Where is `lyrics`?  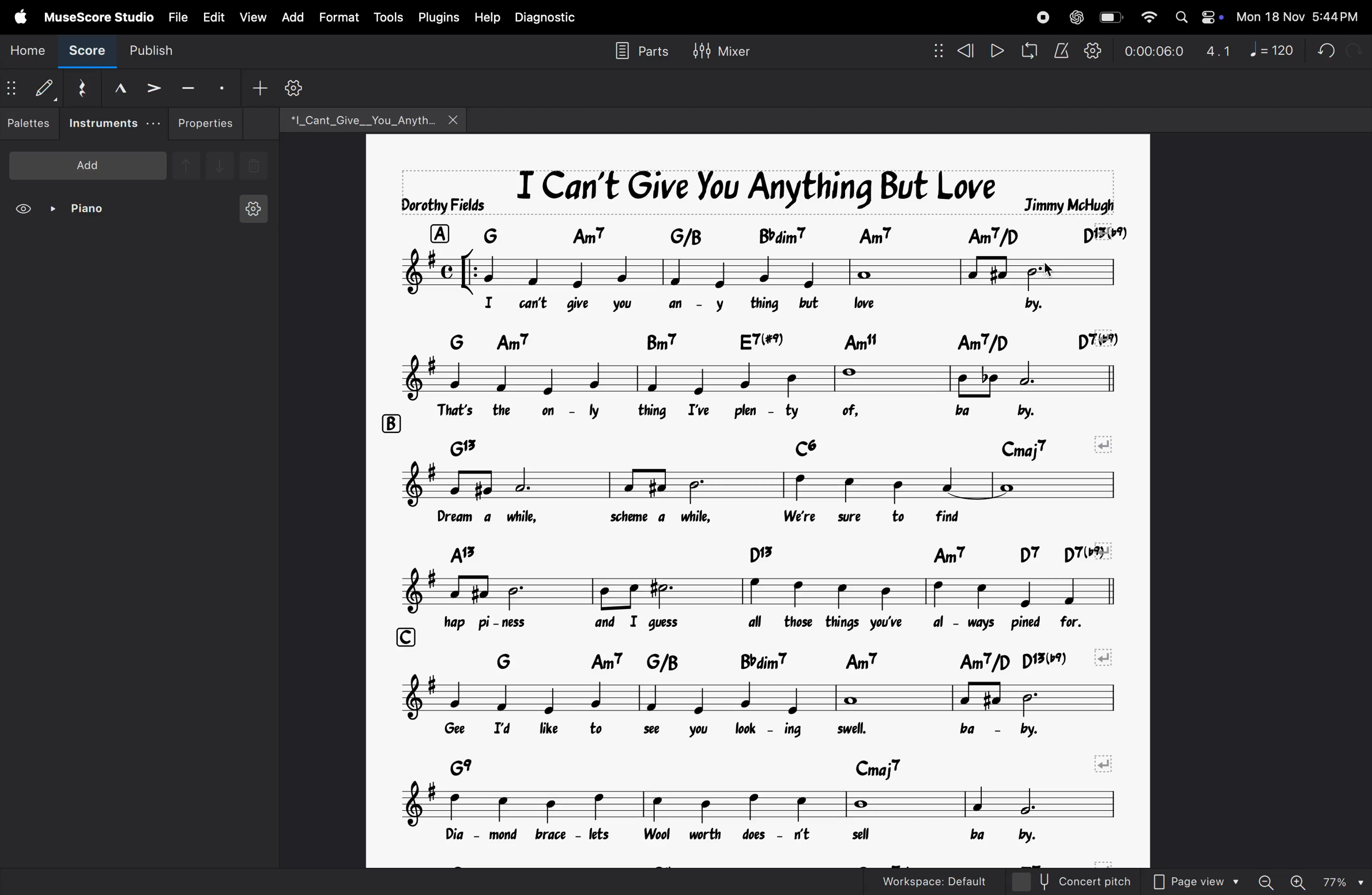 lyrics is located at coordinates (773, 304).